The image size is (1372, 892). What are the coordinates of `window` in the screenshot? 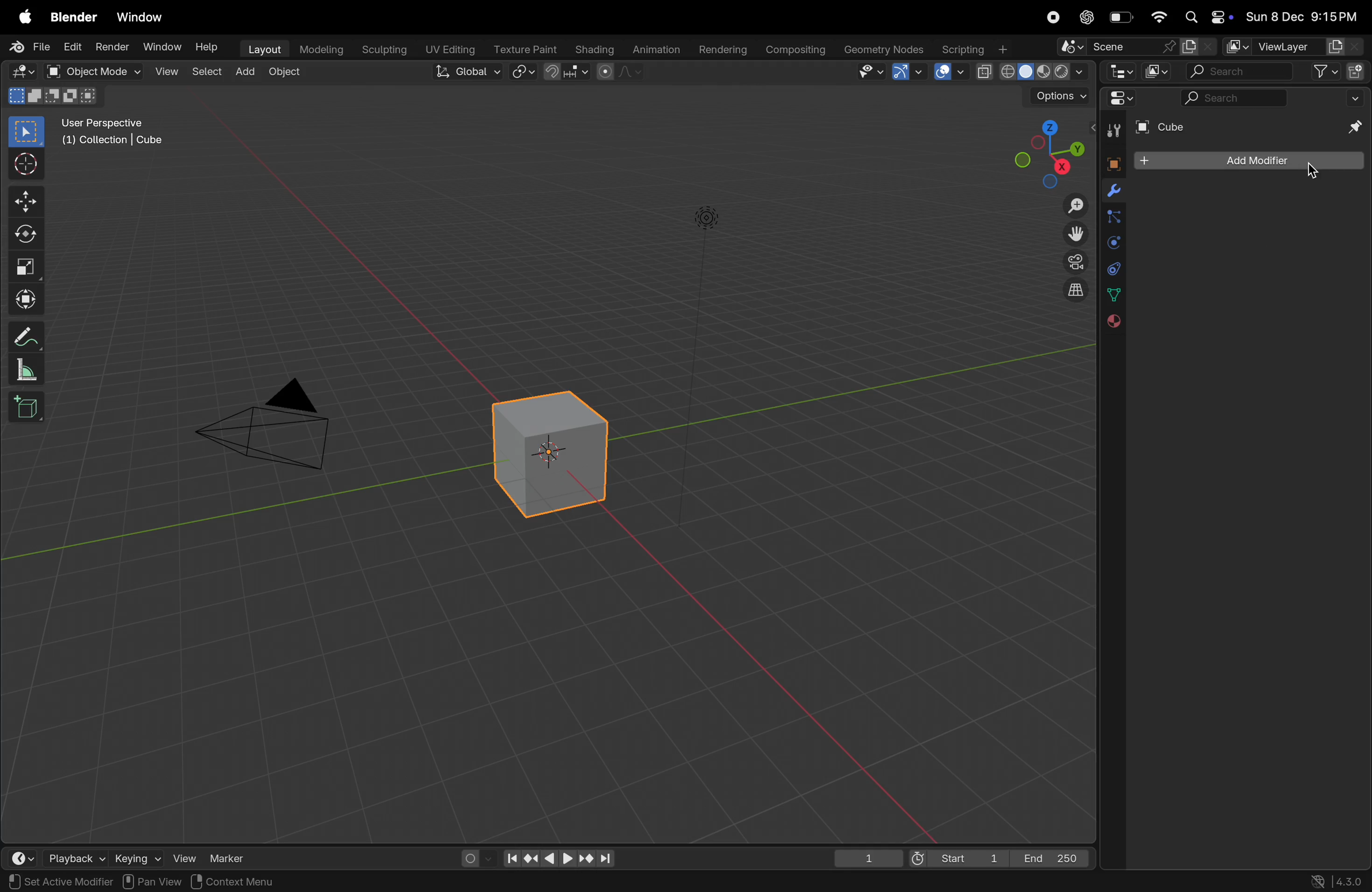 It's located at (145, 18).